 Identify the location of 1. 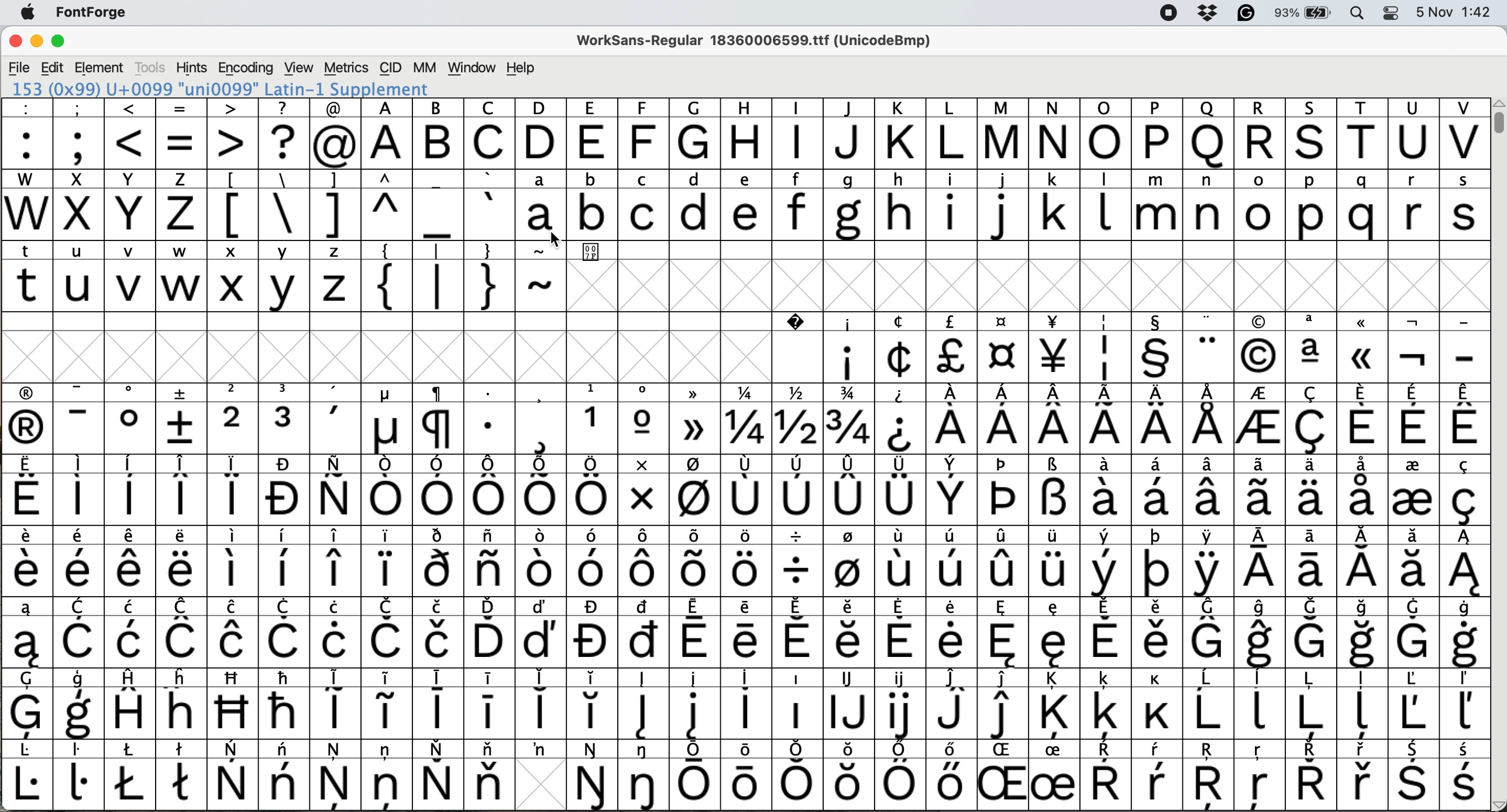
(592, 418).